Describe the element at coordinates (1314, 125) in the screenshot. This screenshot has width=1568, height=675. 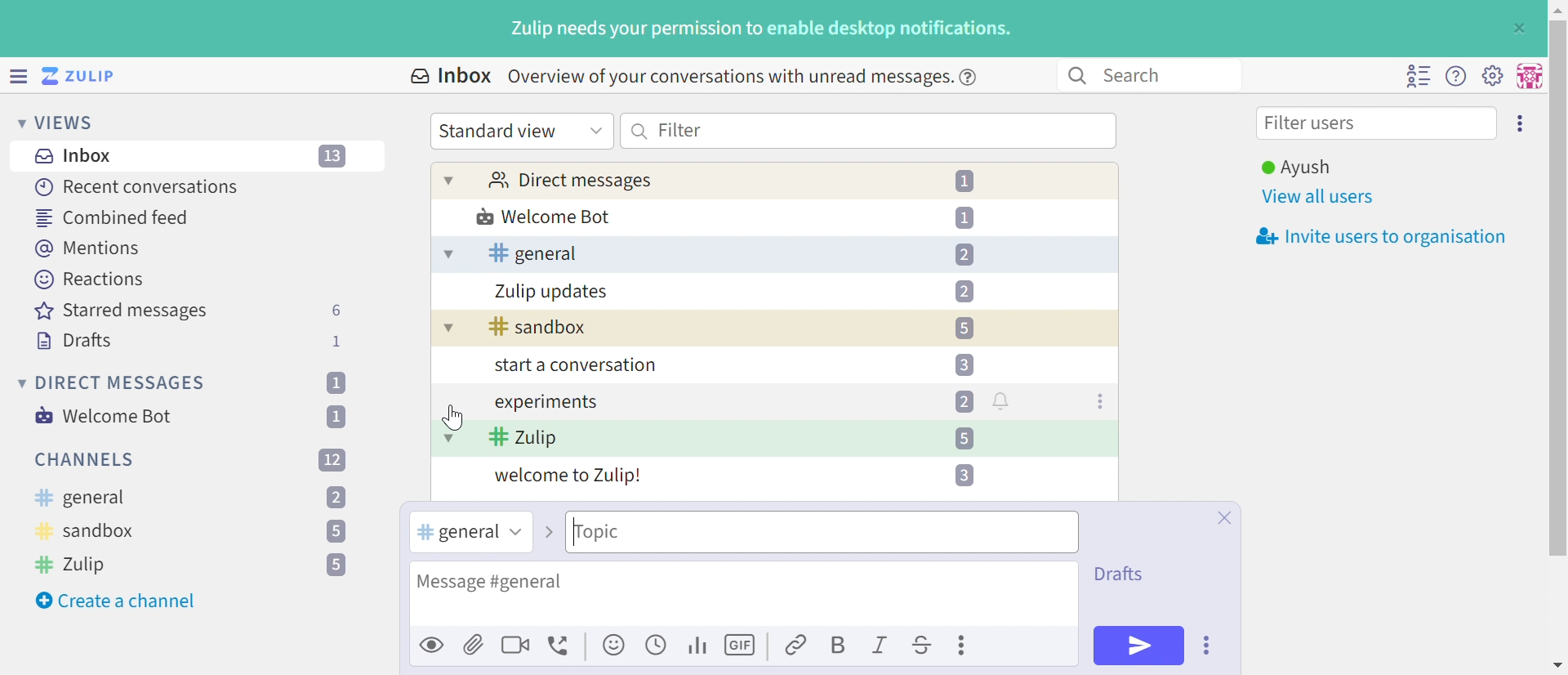
I see `Filter users` at that location.